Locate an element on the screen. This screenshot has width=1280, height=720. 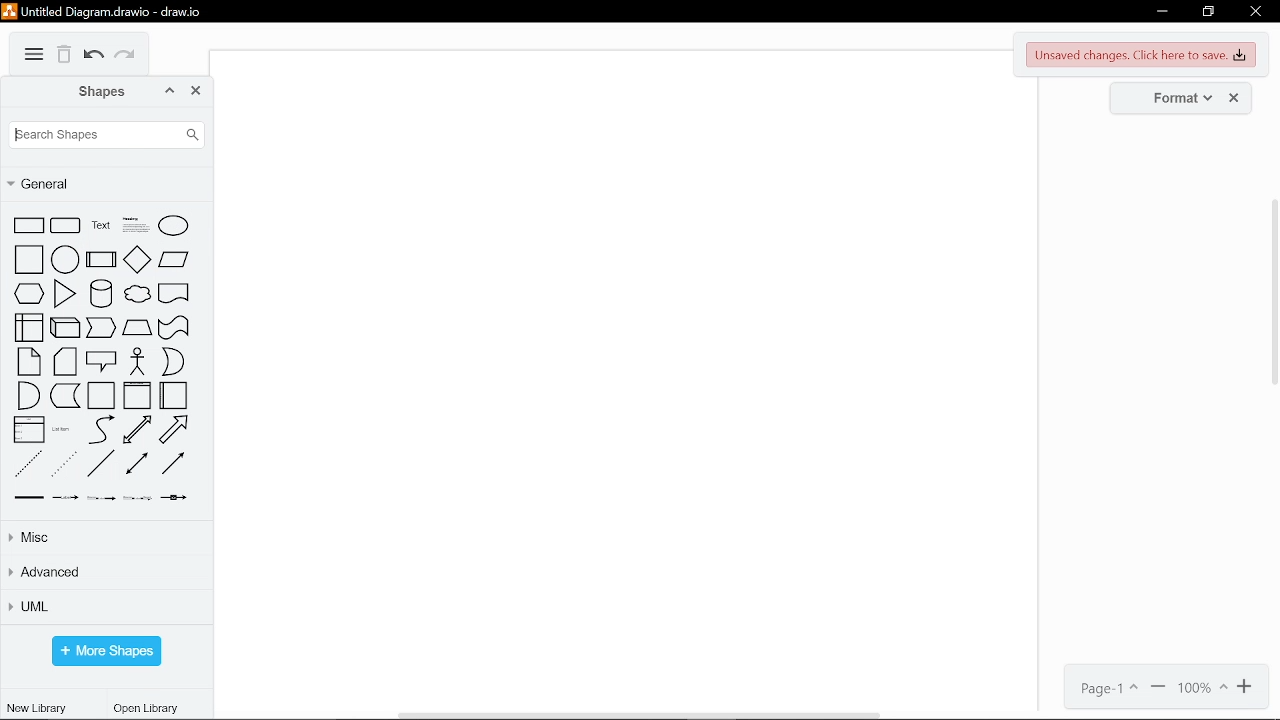
format is located at coordinates (1175, 97).